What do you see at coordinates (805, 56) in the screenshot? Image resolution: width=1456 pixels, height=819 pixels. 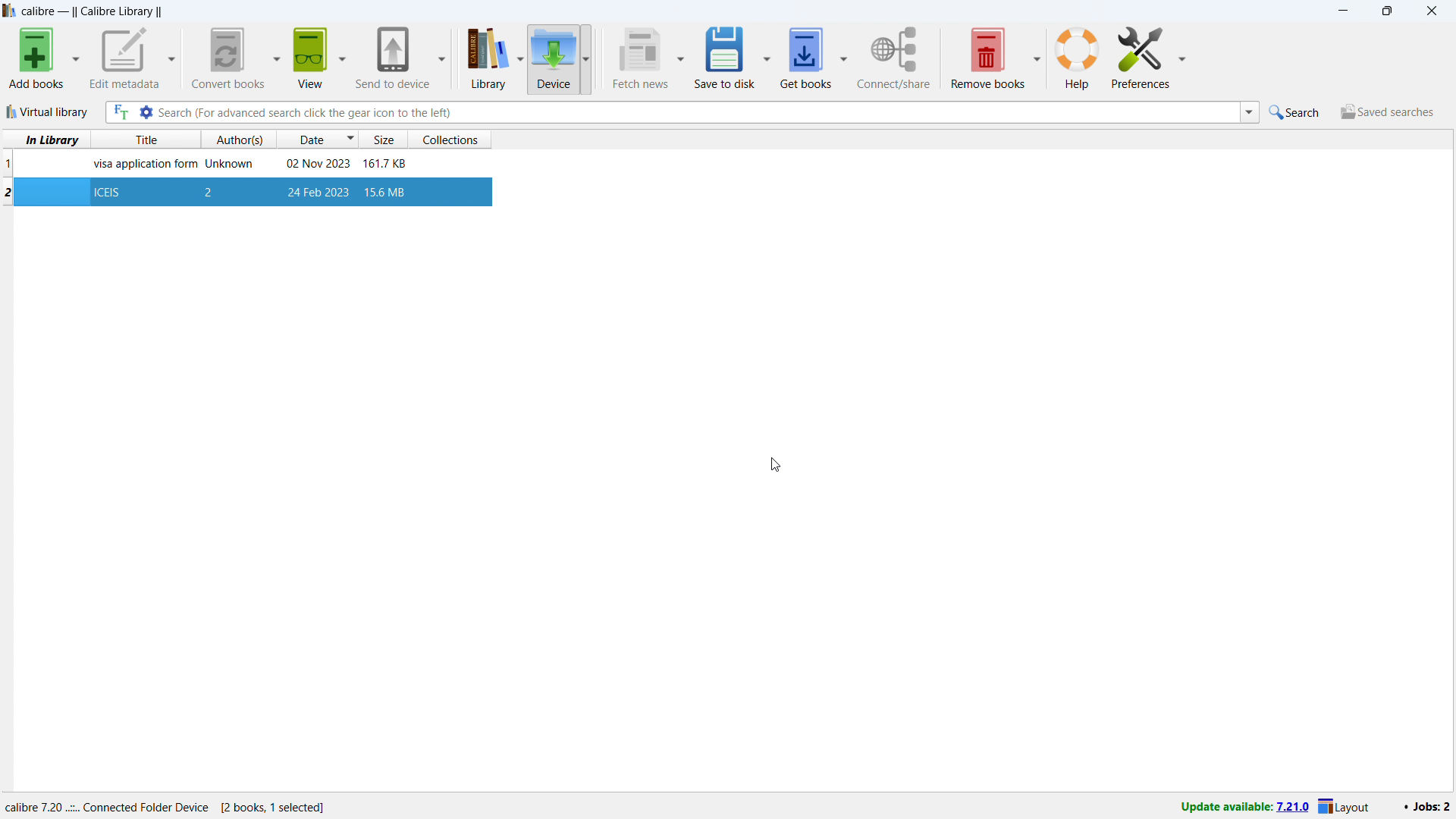 I see `get books` at bounding box center [805, 56].